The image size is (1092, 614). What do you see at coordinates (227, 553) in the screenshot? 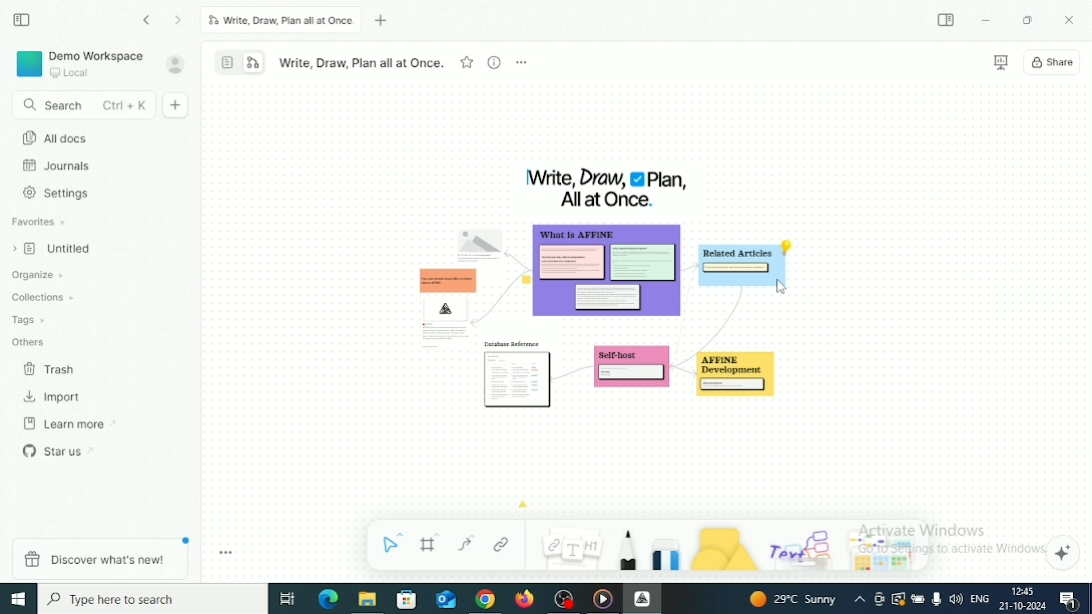
I see `Toggle Zoom Tool Bar` at bounding box center [227, 553].